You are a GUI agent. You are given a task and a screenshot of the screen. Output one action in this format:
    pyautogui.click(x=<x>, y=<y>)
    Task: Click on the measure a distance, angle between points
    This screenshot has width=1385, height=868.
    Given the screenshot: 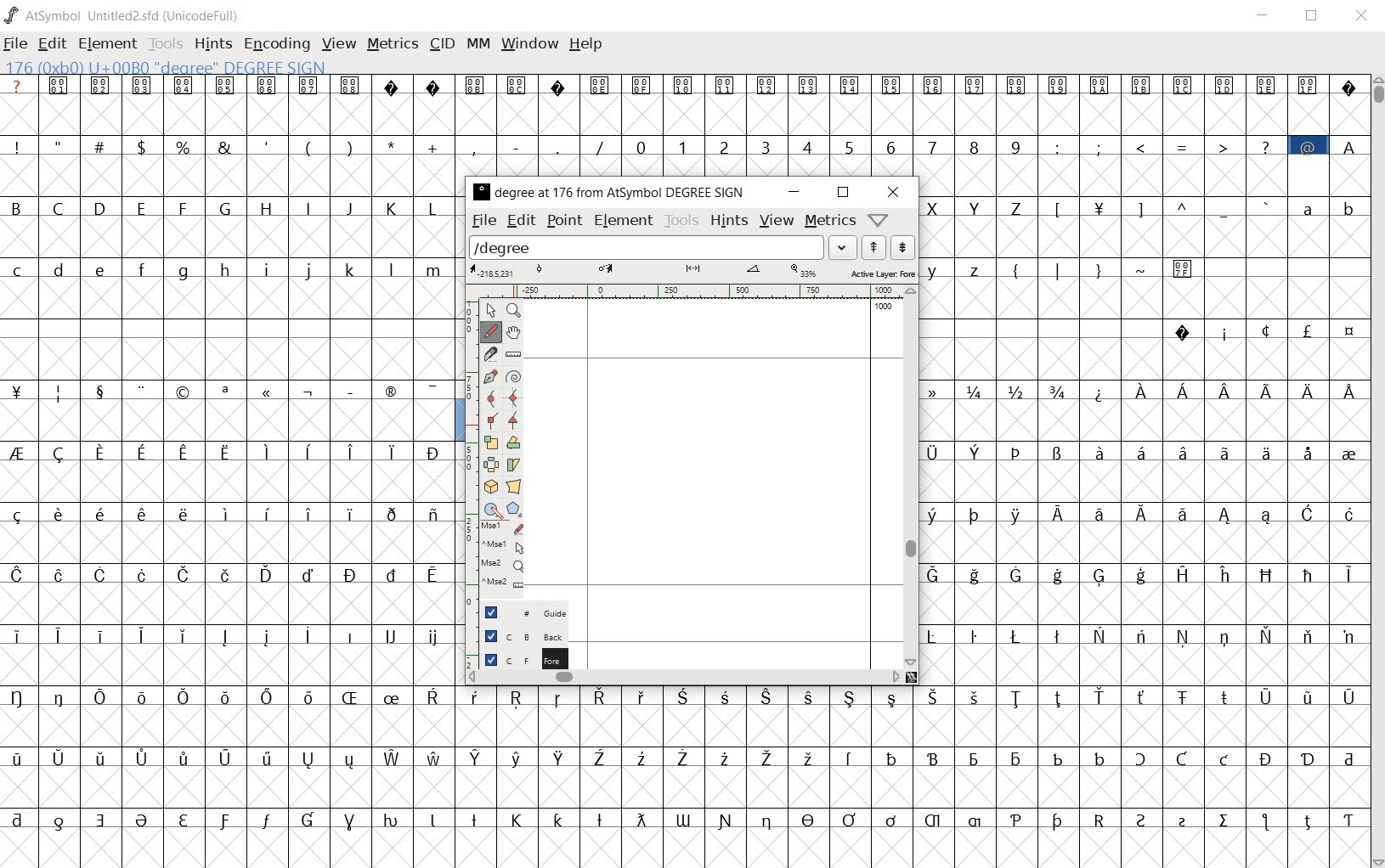 What is the action you would take?
    pyautogui.click(x=514, y=355)
    